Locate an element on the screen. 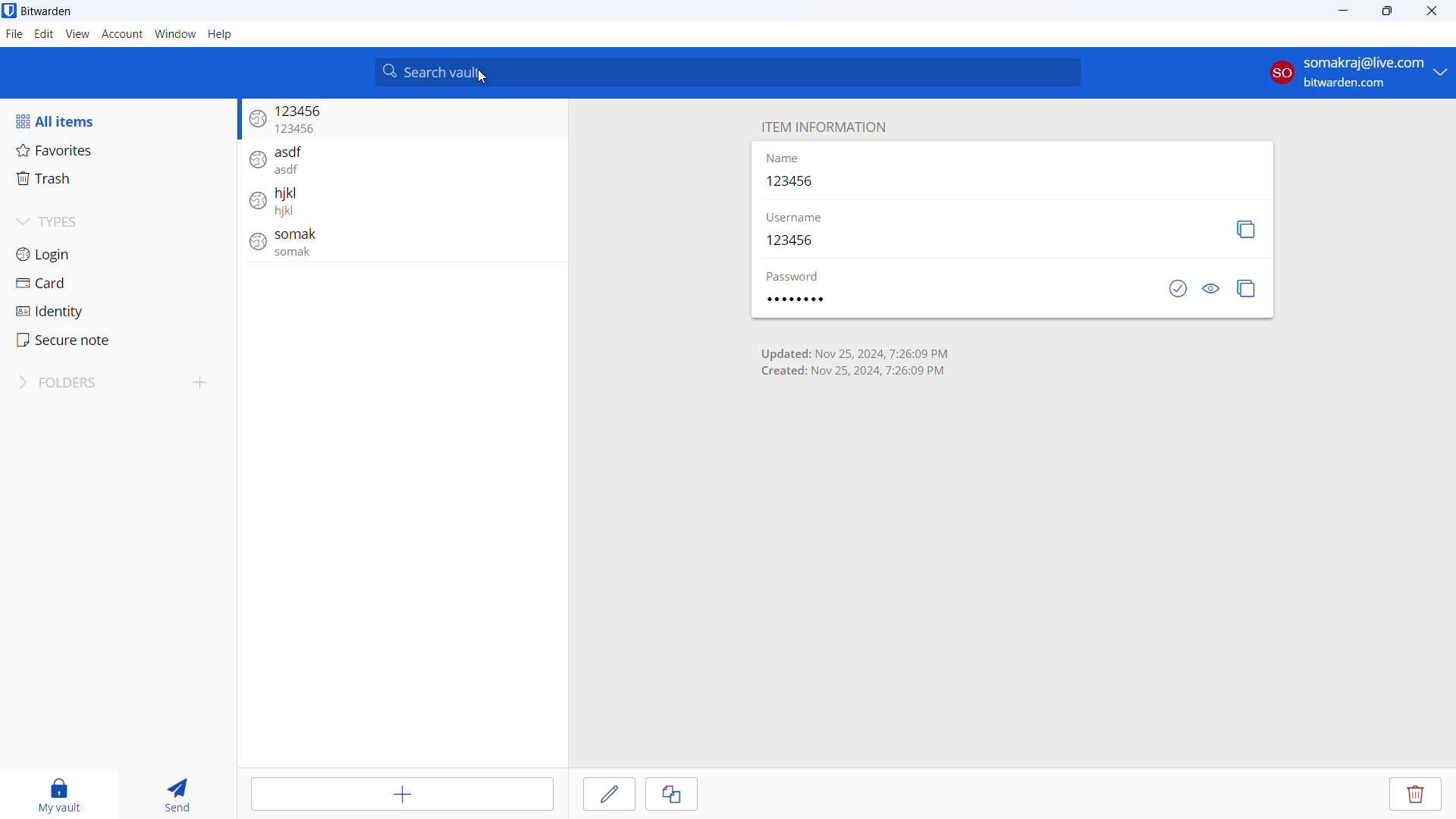  password label is located at coordinates (798, 274).